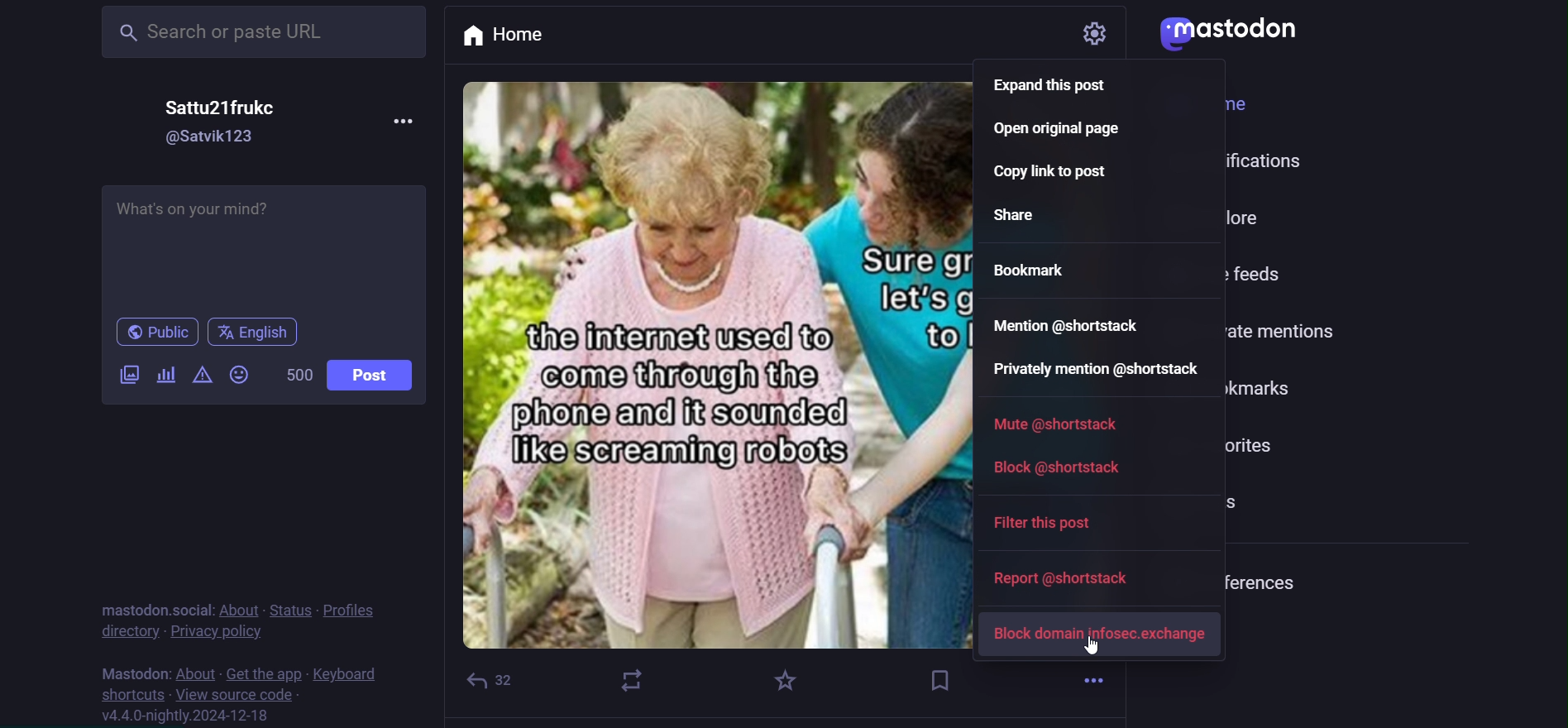 This screenshot has height=728, width=1568. Describe the element at coordinates (1055, 424) in the screenshot. I see `mute` at that location.